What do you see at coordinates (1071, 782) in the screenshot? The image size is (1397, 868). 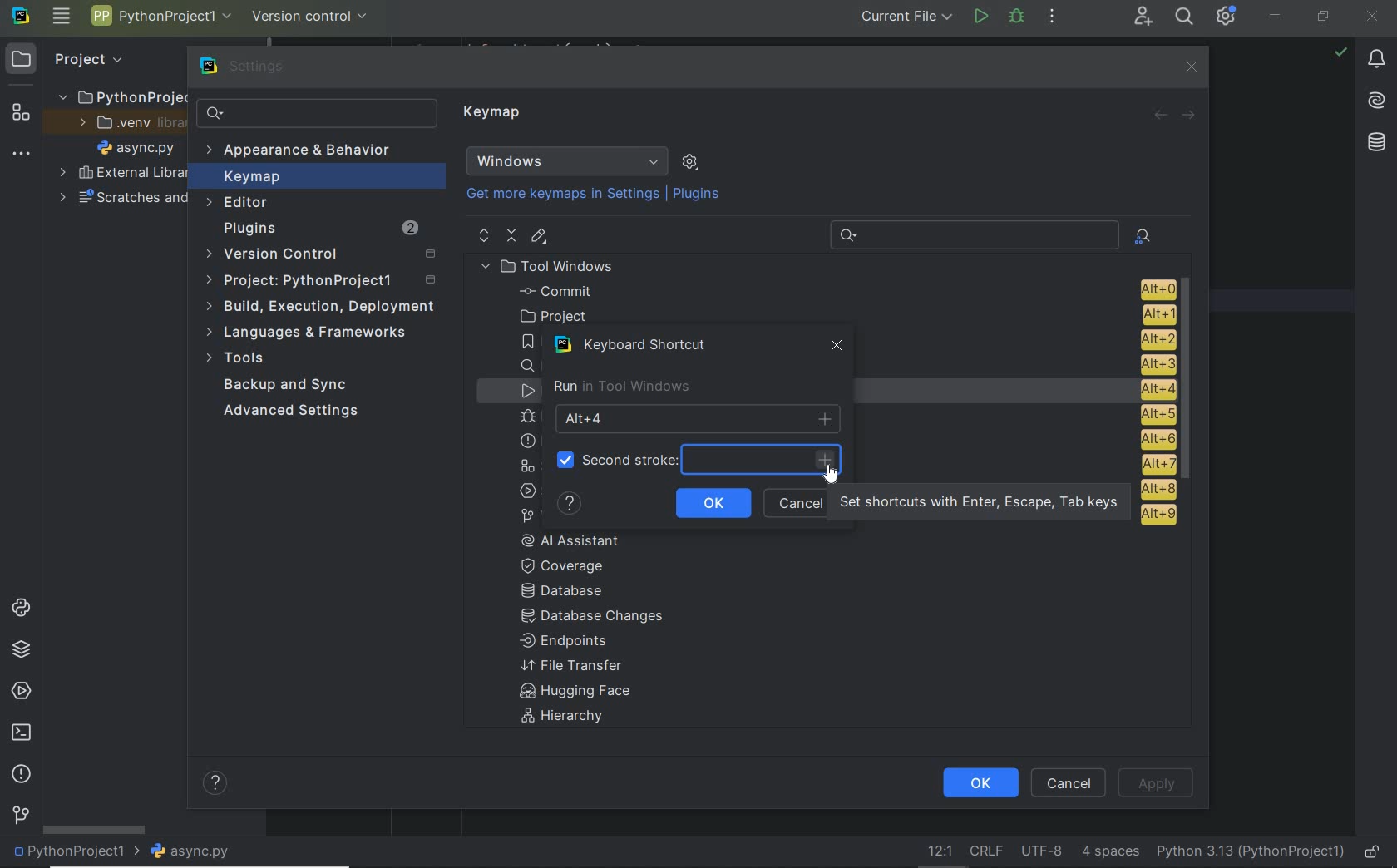 I see `Cancel` at bounding box center [1071, 782].